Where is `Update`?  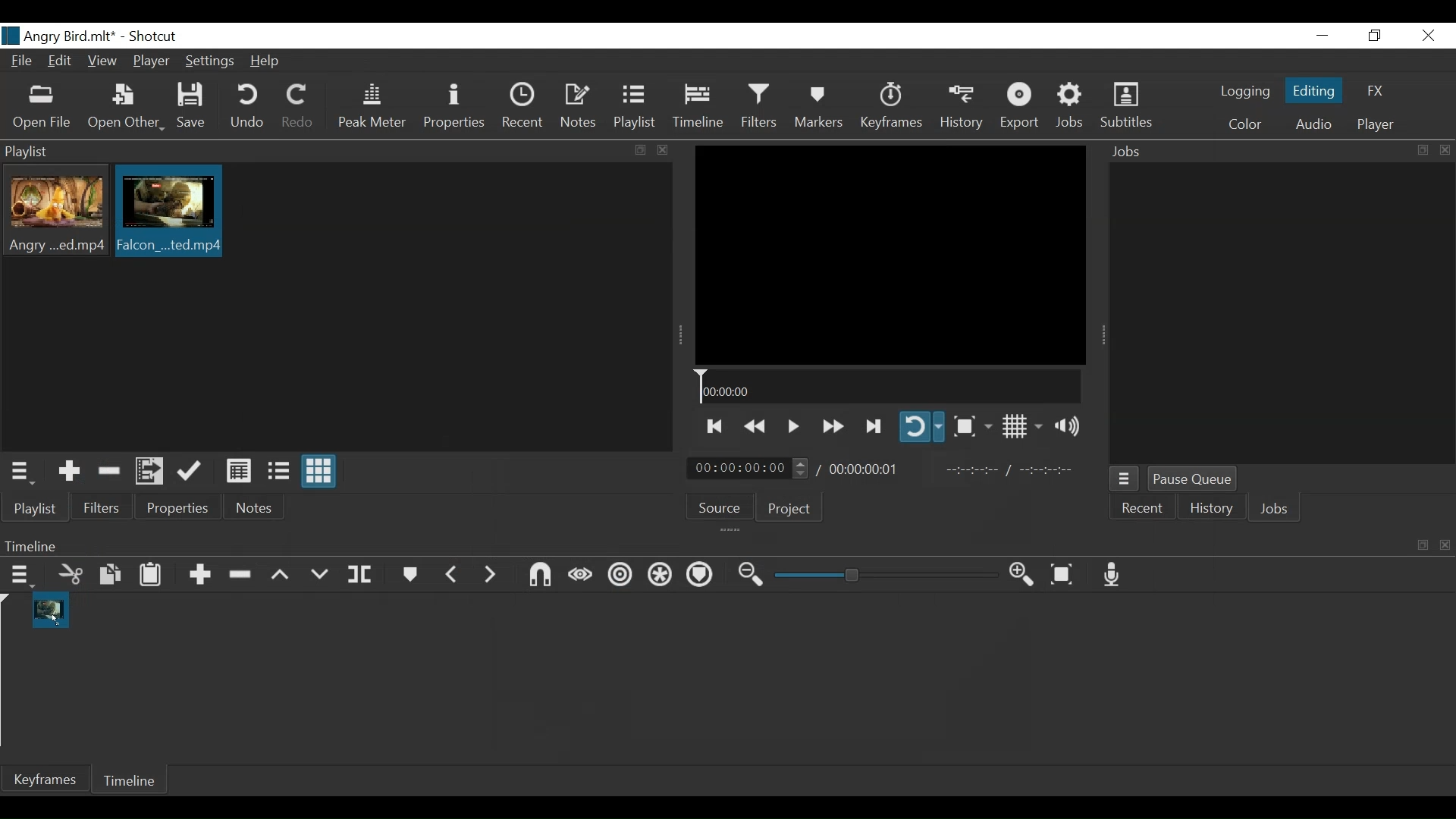 Update is located at coordinates (193, 472).